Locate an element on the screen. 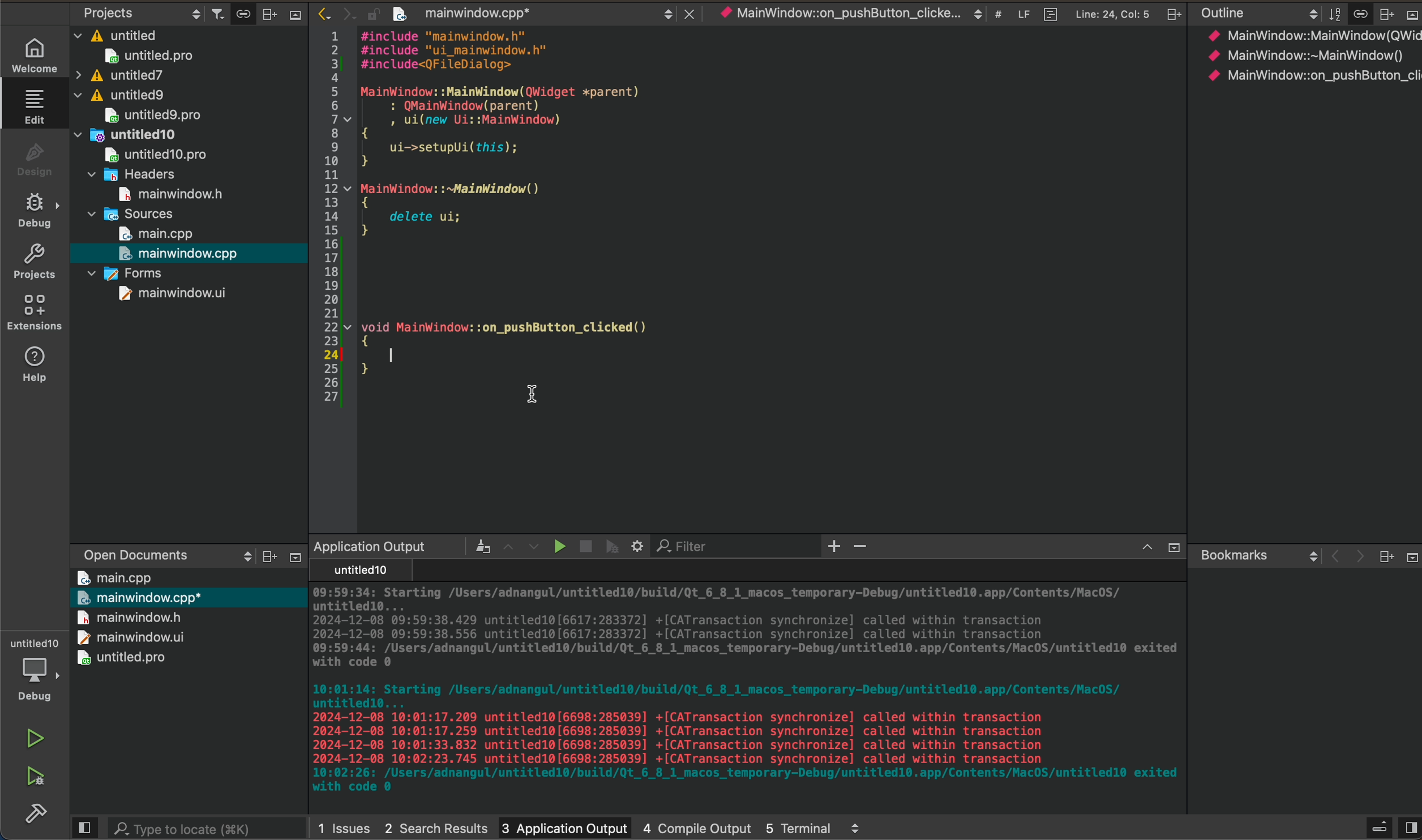 This screenshot has height=840, width=1422. MainWindow::on is located at coordinates (838, 15).